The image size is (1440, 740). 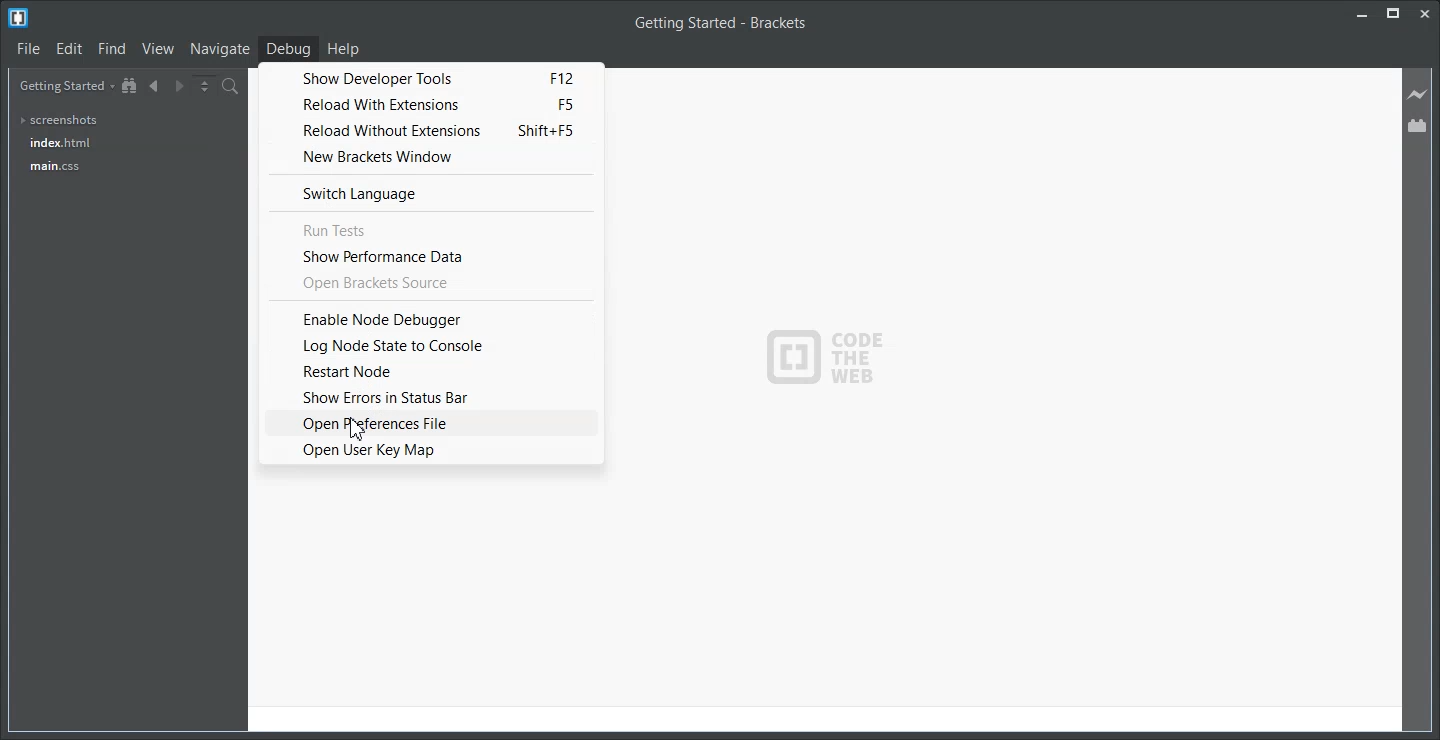 I want to click on Maximize, so click(x=1393, y=11).